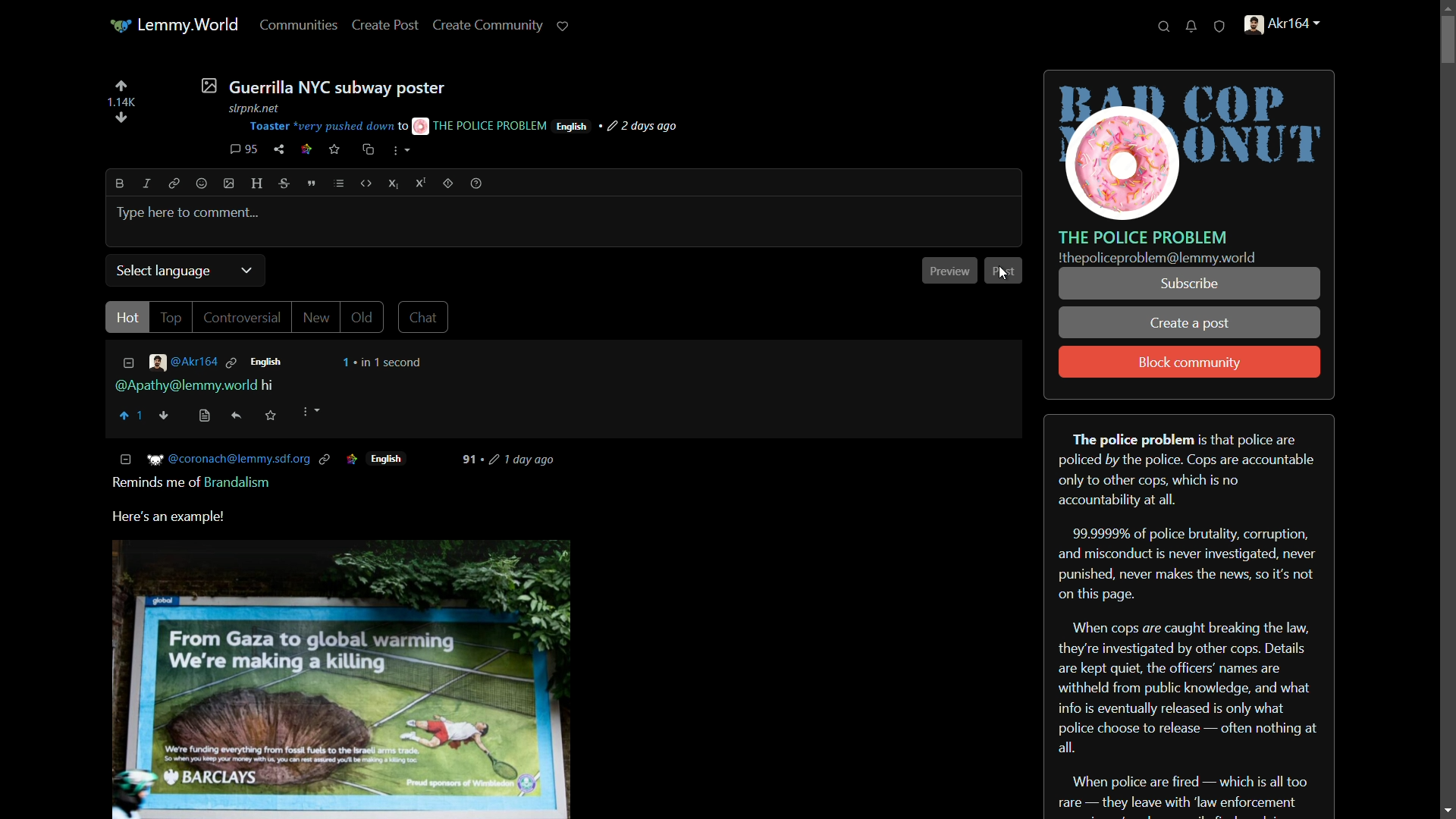 Image resolution: width=1456 pixels, height=819 pixels. I want to click on save, so click(335, 149).